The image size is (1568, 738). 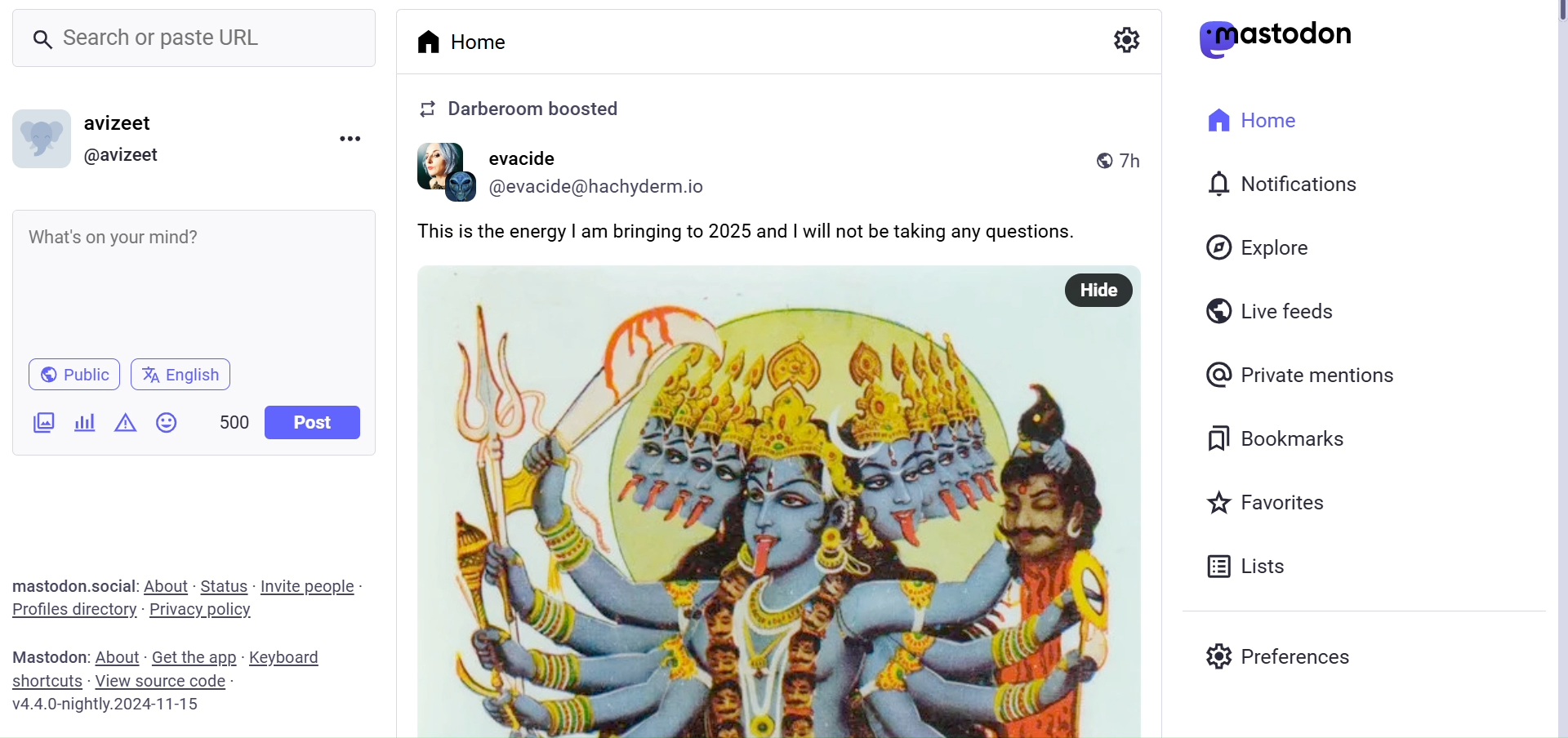 What do you see at coordinates (1555, 371) in the screenshot?
I see `Vertical Scroll Bar` at bounding box center [1555, 371].